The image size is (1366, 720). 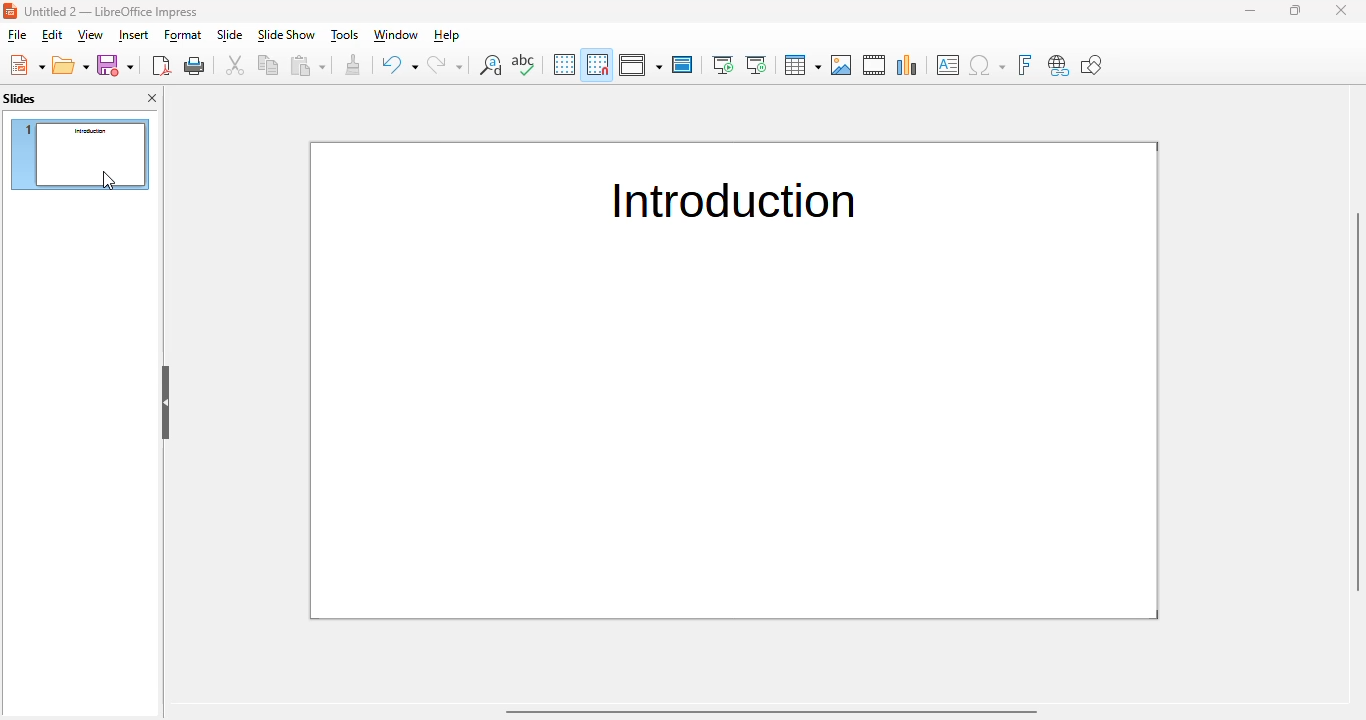 I want to click on insert hyperlink, so click(x=1059, y=66).